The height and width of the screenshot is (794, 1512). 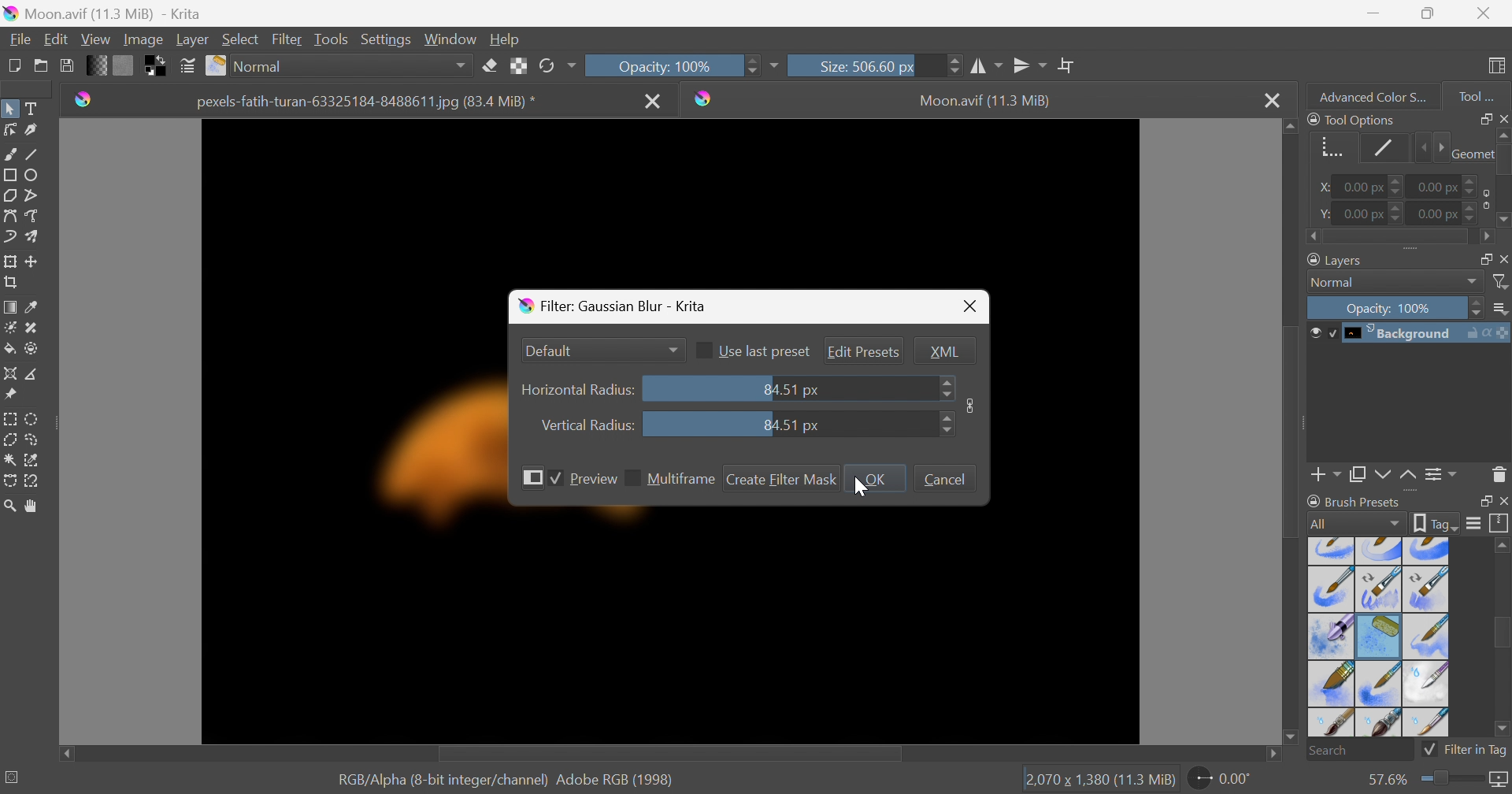 What do you see at coordinates (1382, 476) in the screenshot?
I see `Move layer or mask down` at bounding box center [1382, 476].